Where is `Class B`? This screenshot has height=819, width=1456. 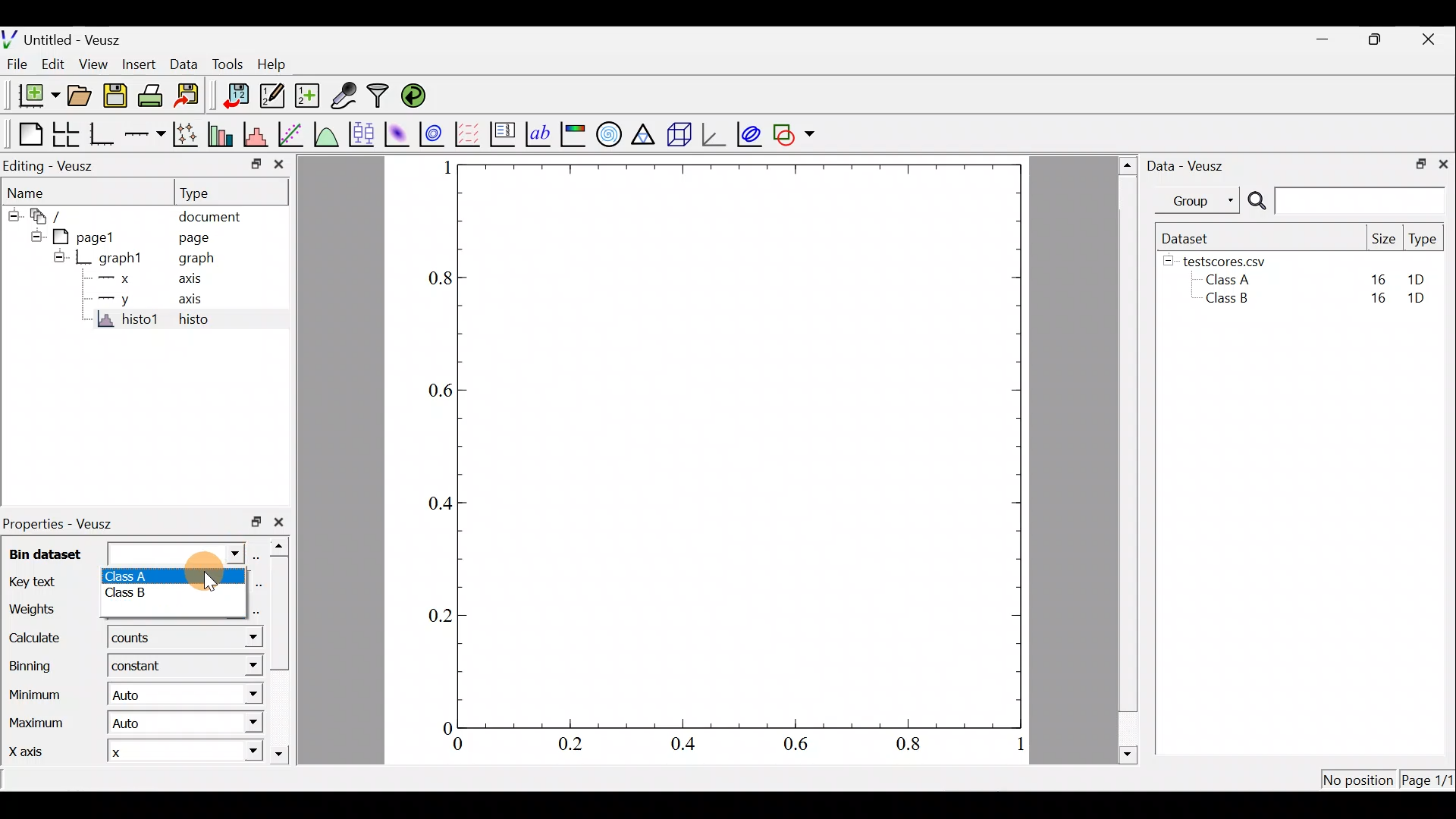
Class B is located at coordinates (1225, 301).